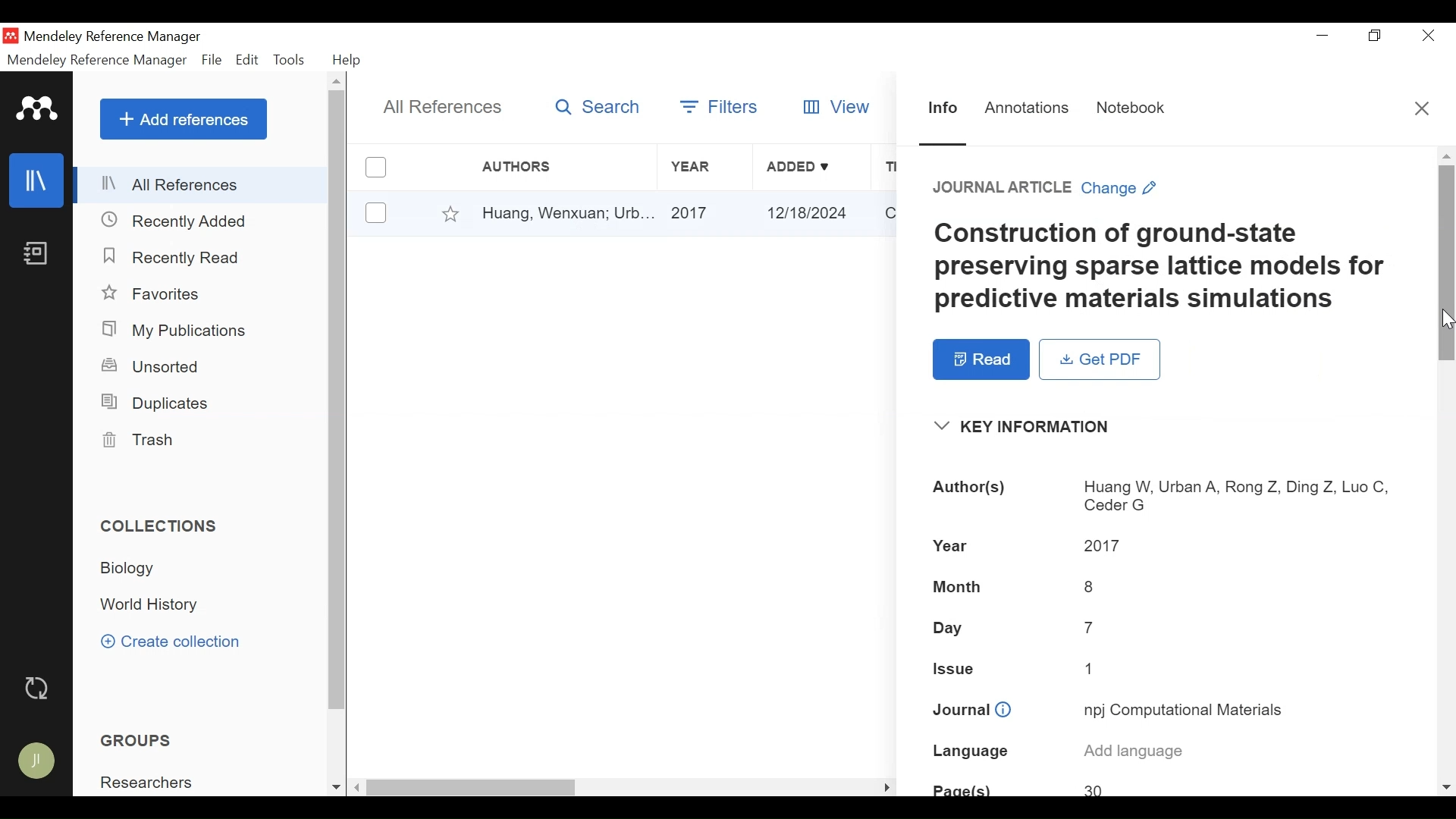 The height and width of the screenshot is (819, 1456). Describe the element at coordinates (451, 212) in the screenshot. I see `Favorites` at that location.